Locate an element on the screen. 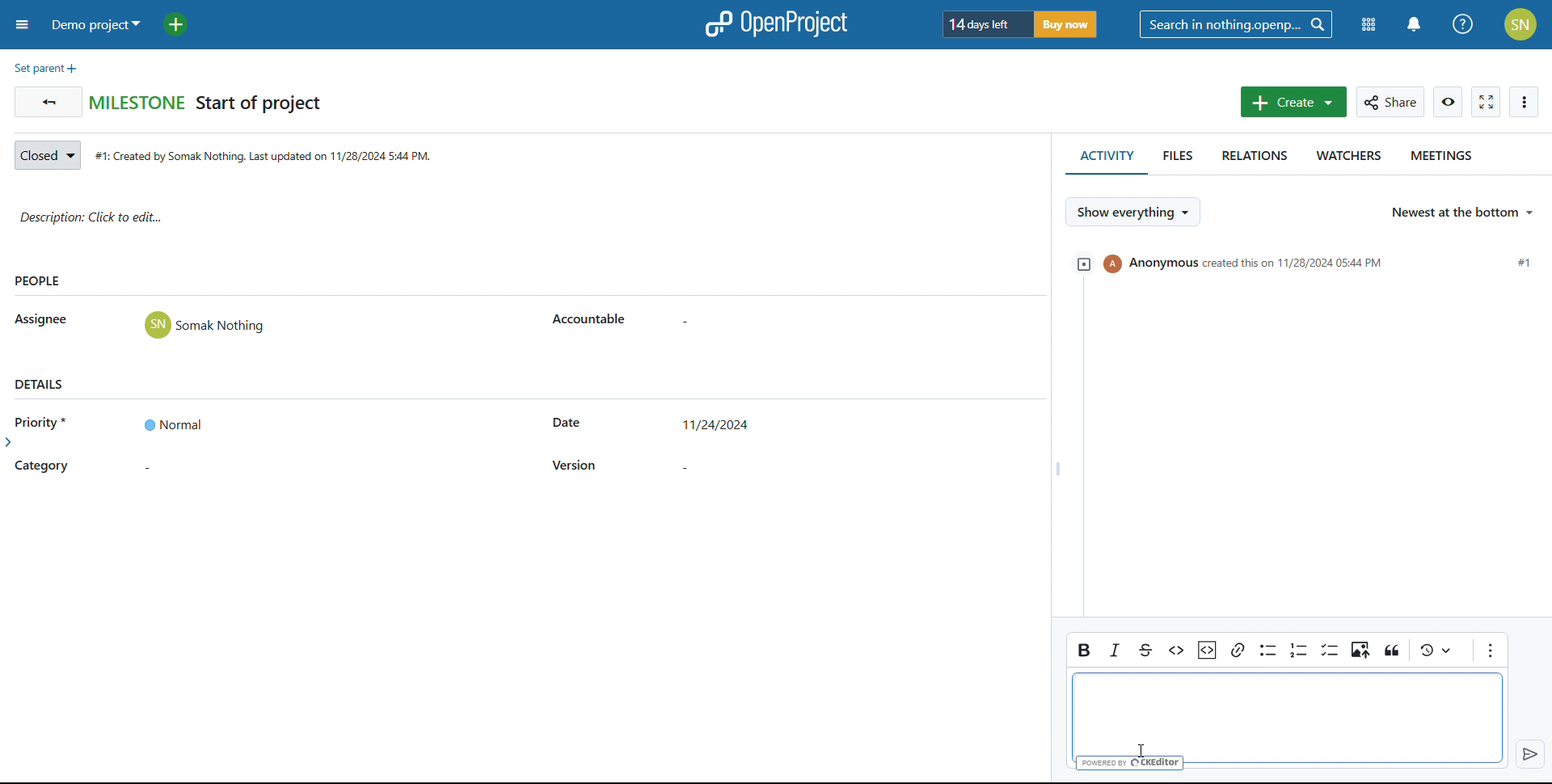 The height and width of the screenshot is (784, 1552). enter is located at coordinates (1529, 754).